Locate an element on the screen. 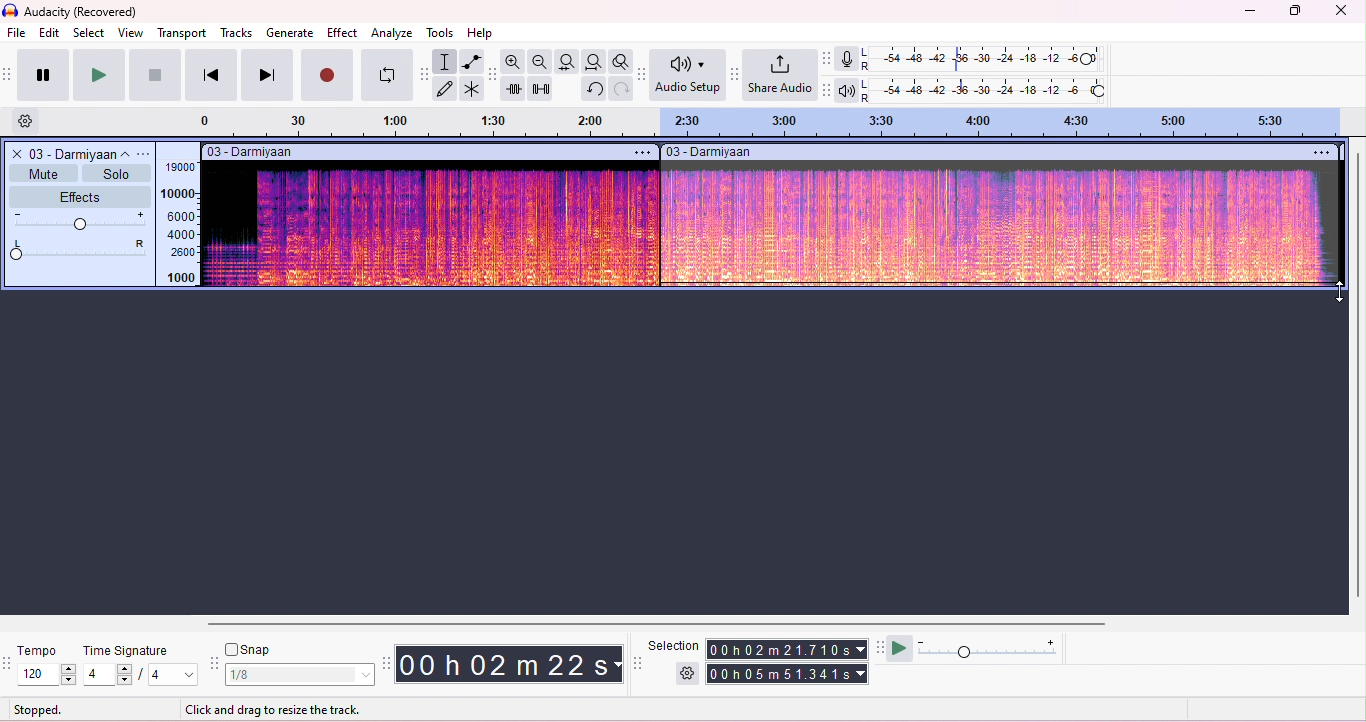  fit selection to width is located at coordinates (569, 62).